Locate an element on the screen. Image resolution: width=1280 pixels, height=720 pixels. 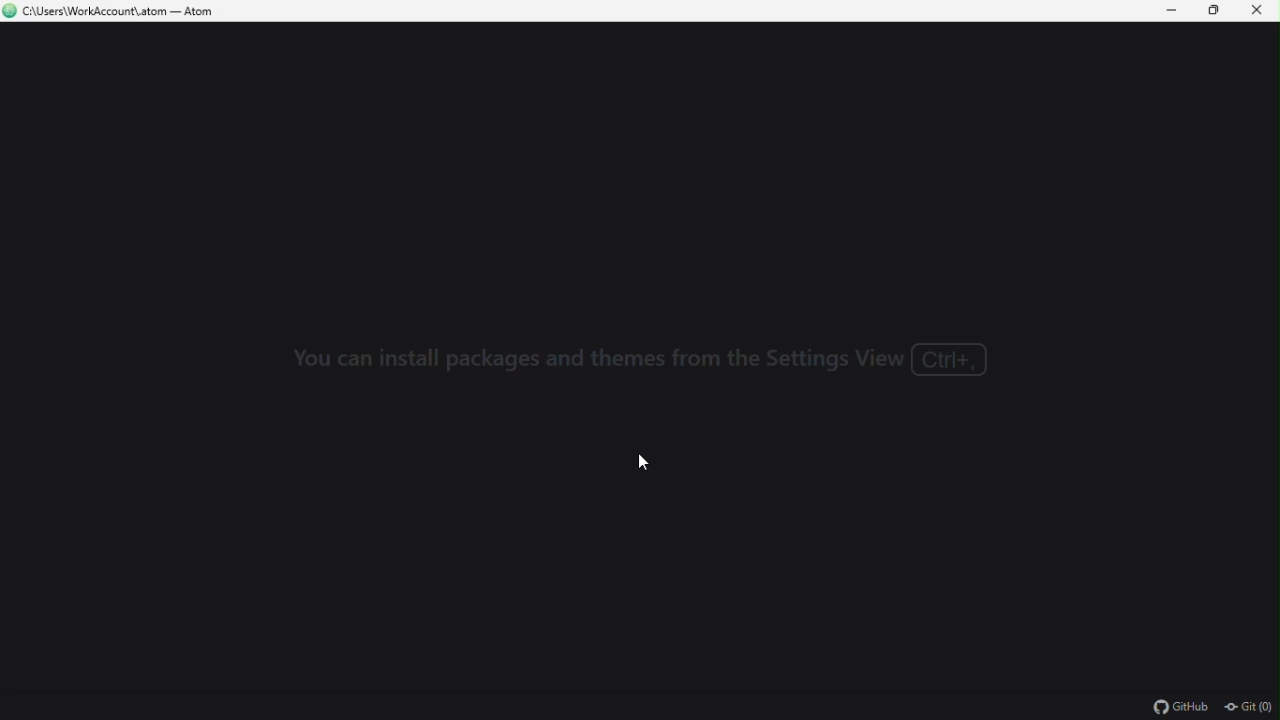
File name and file path is located at coordinates (115, 12).